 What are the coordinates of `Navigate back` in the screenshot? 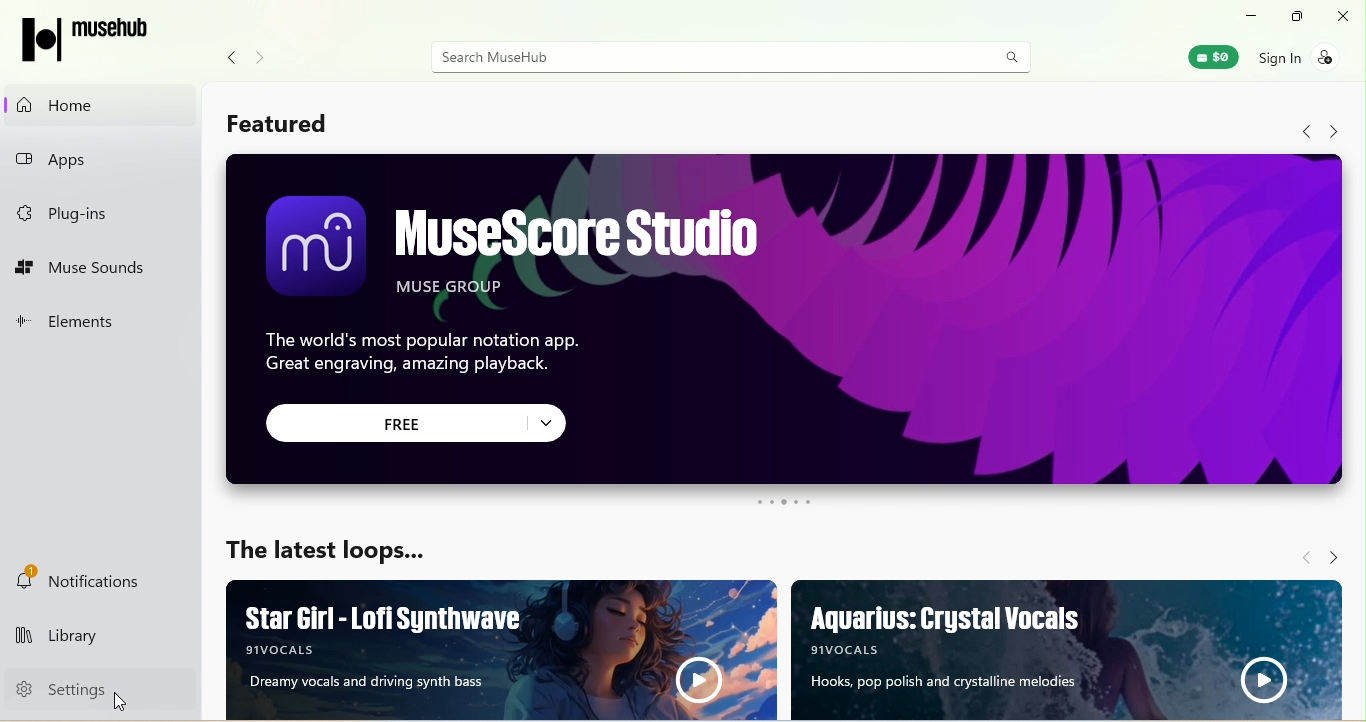 It's located at (1303, 126).